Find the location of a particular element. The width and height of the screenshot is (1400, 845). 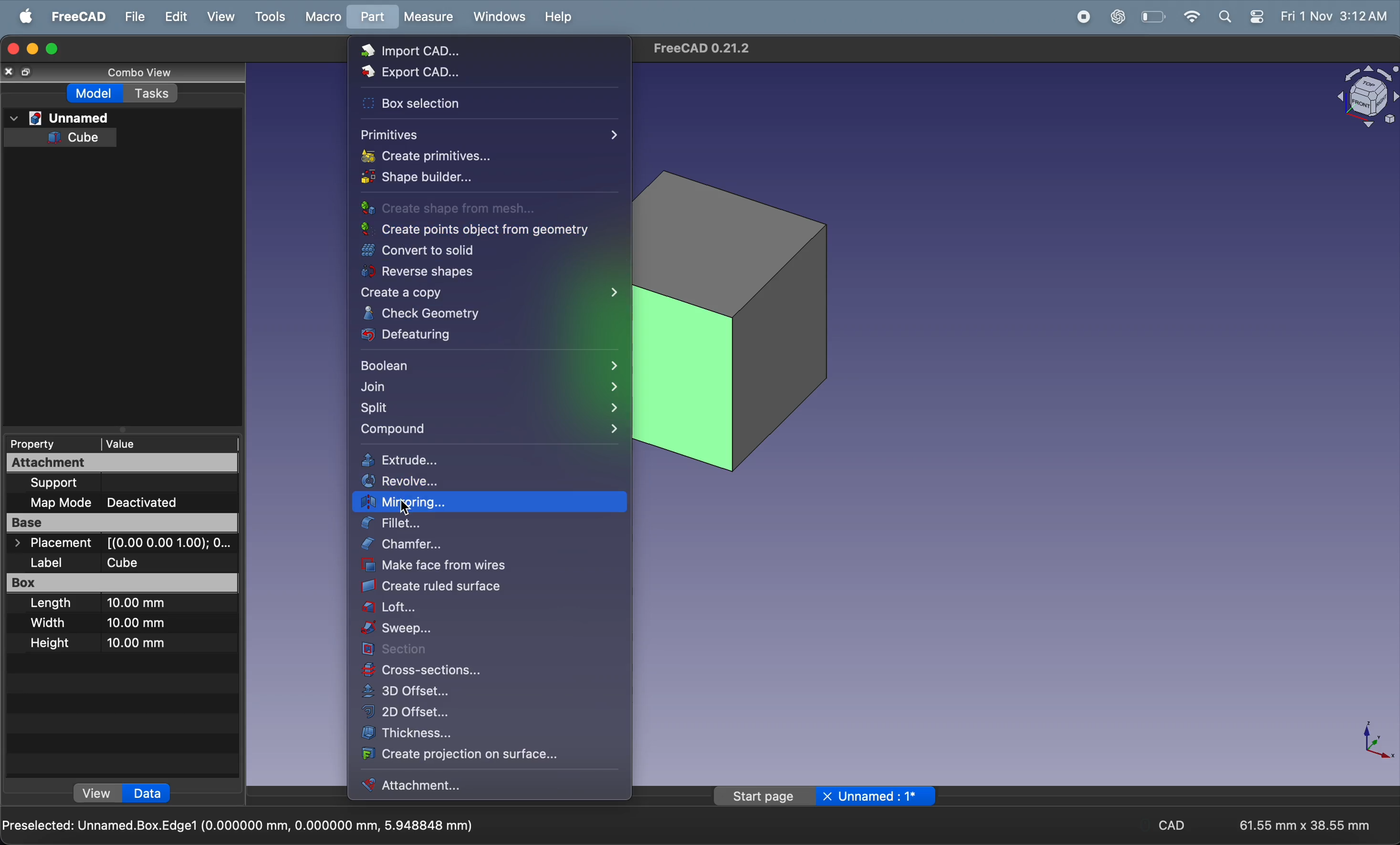

minimize is located at coordinates (33, 49).